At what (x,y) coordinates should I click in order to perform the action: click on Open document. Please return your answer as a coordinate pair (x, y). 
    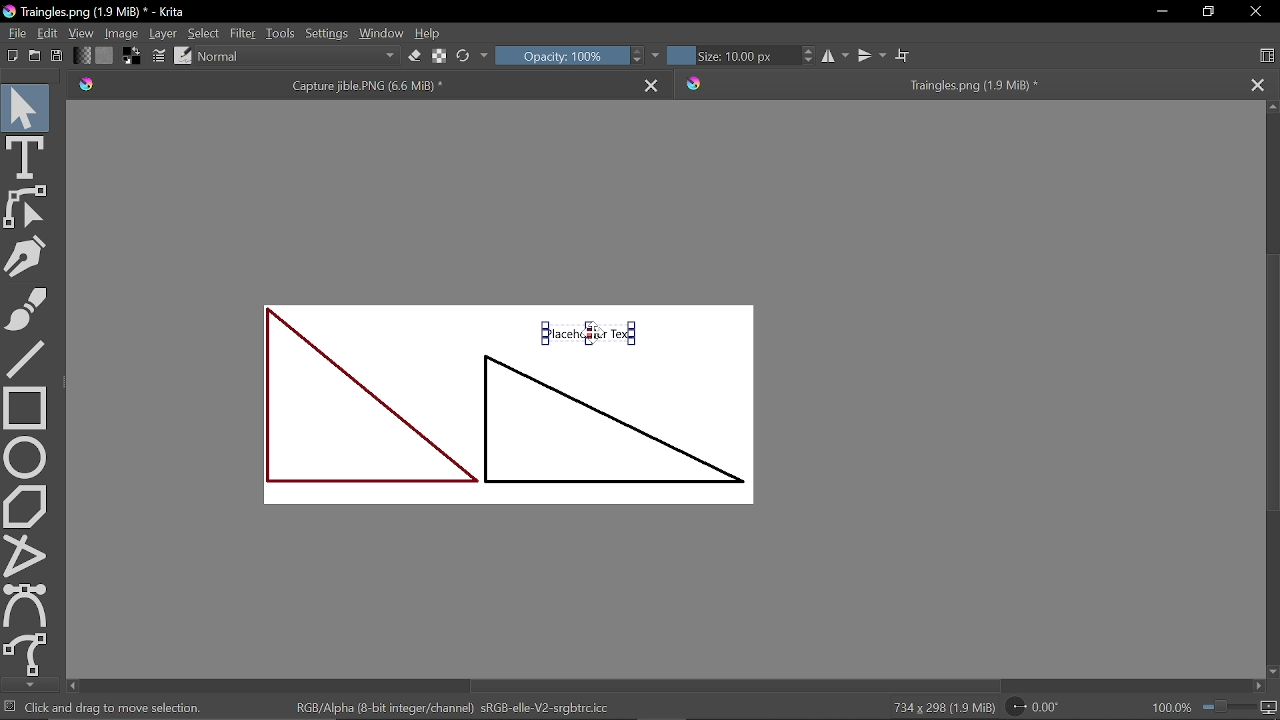
    Looking at the image, I should click on (34, 56).